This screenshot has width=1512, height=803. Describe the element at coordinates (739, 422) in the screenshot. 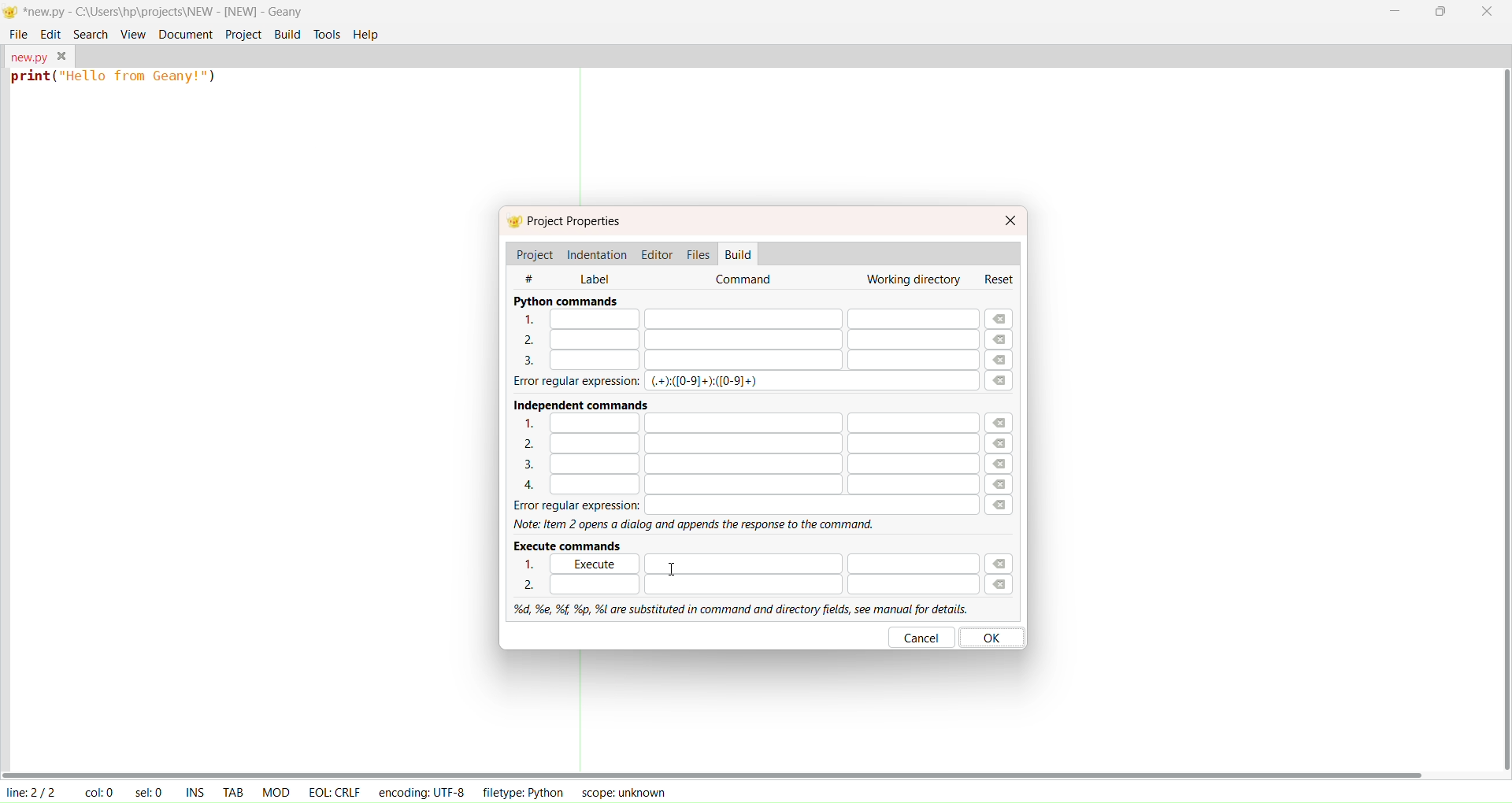

I see `1.` at that location.